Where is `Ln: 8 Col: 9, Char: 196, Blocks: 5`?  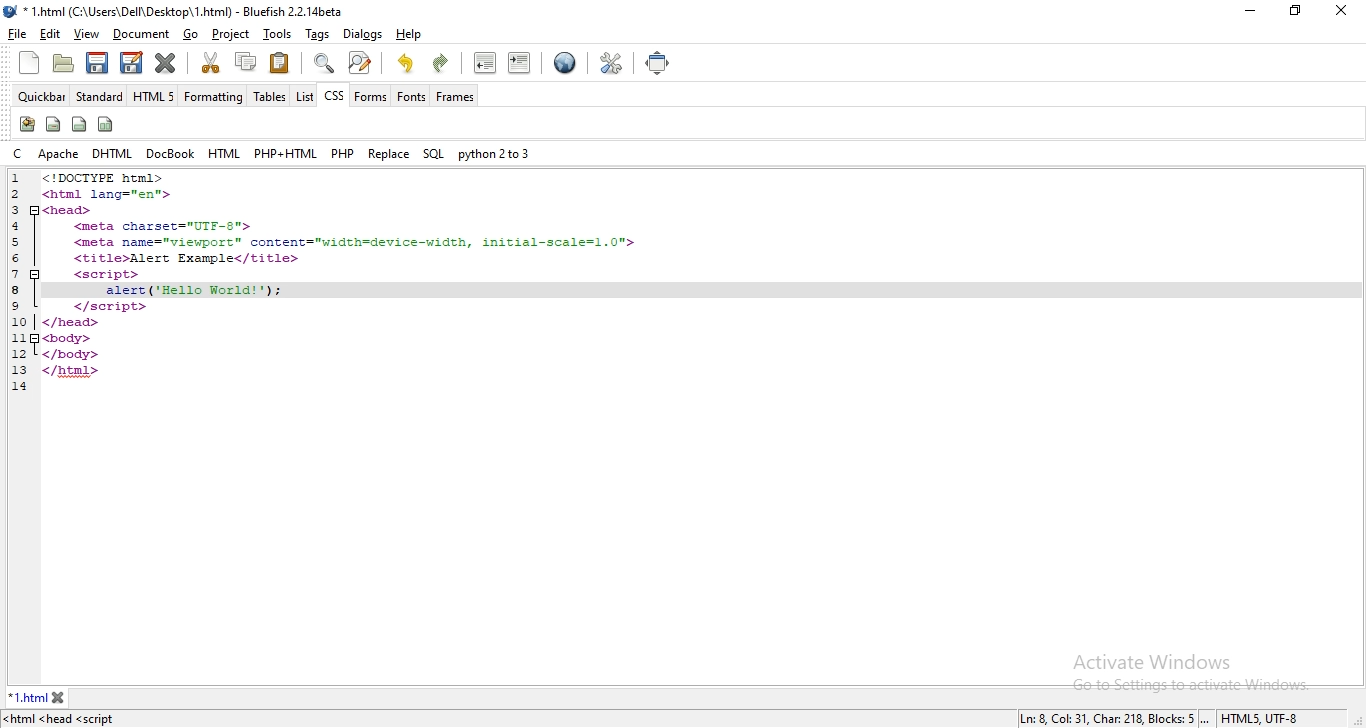
Ln: 8 Col: 9, Char: 196, Blocks: 5 is located at coordinates (1107, 719).